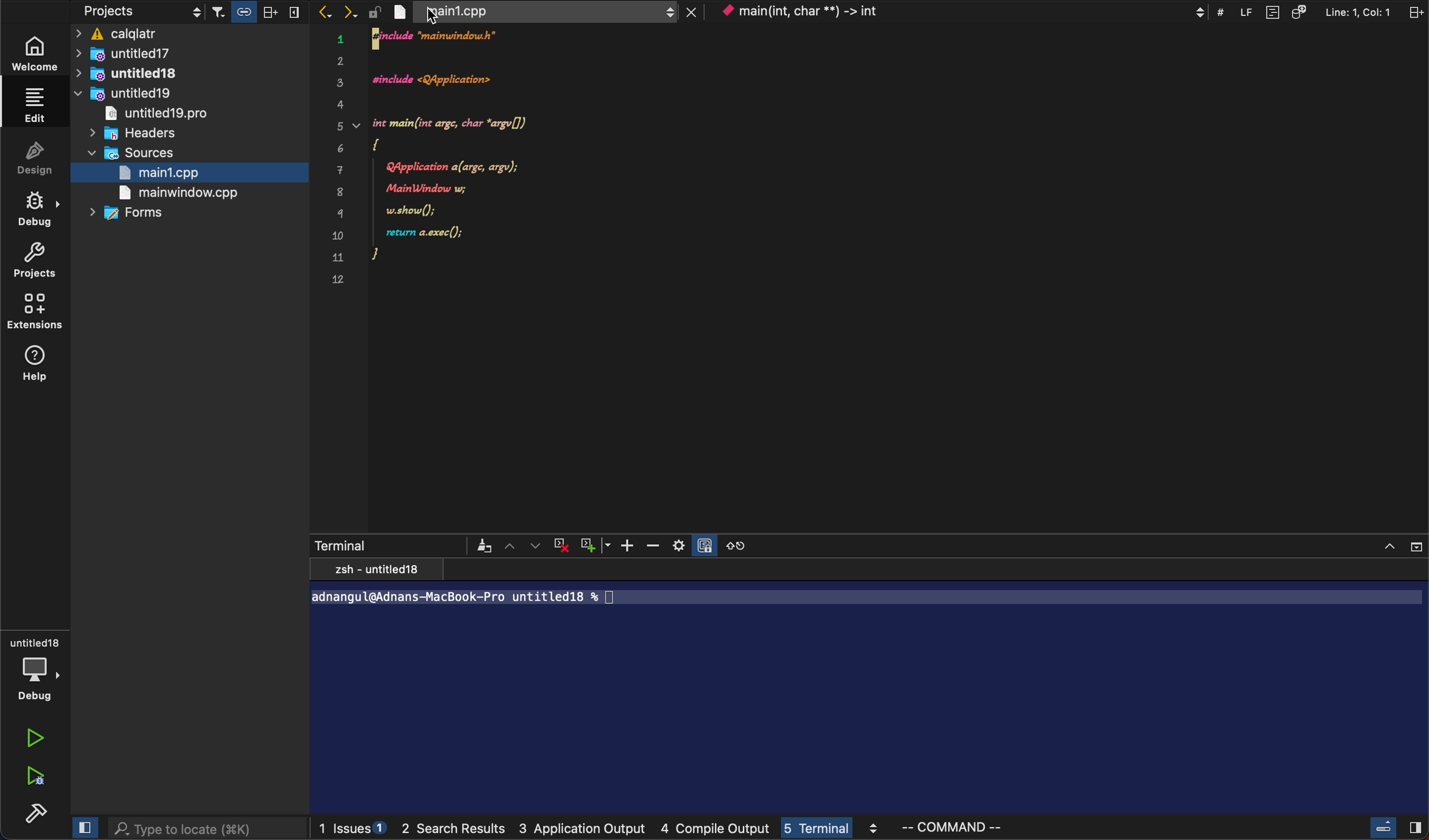 This screenshot has height=840, width=1429. What do you see at coordinates (1392, 828) in the screenshot?
I see `close slide cursor` at bounding box center [1392, 828].